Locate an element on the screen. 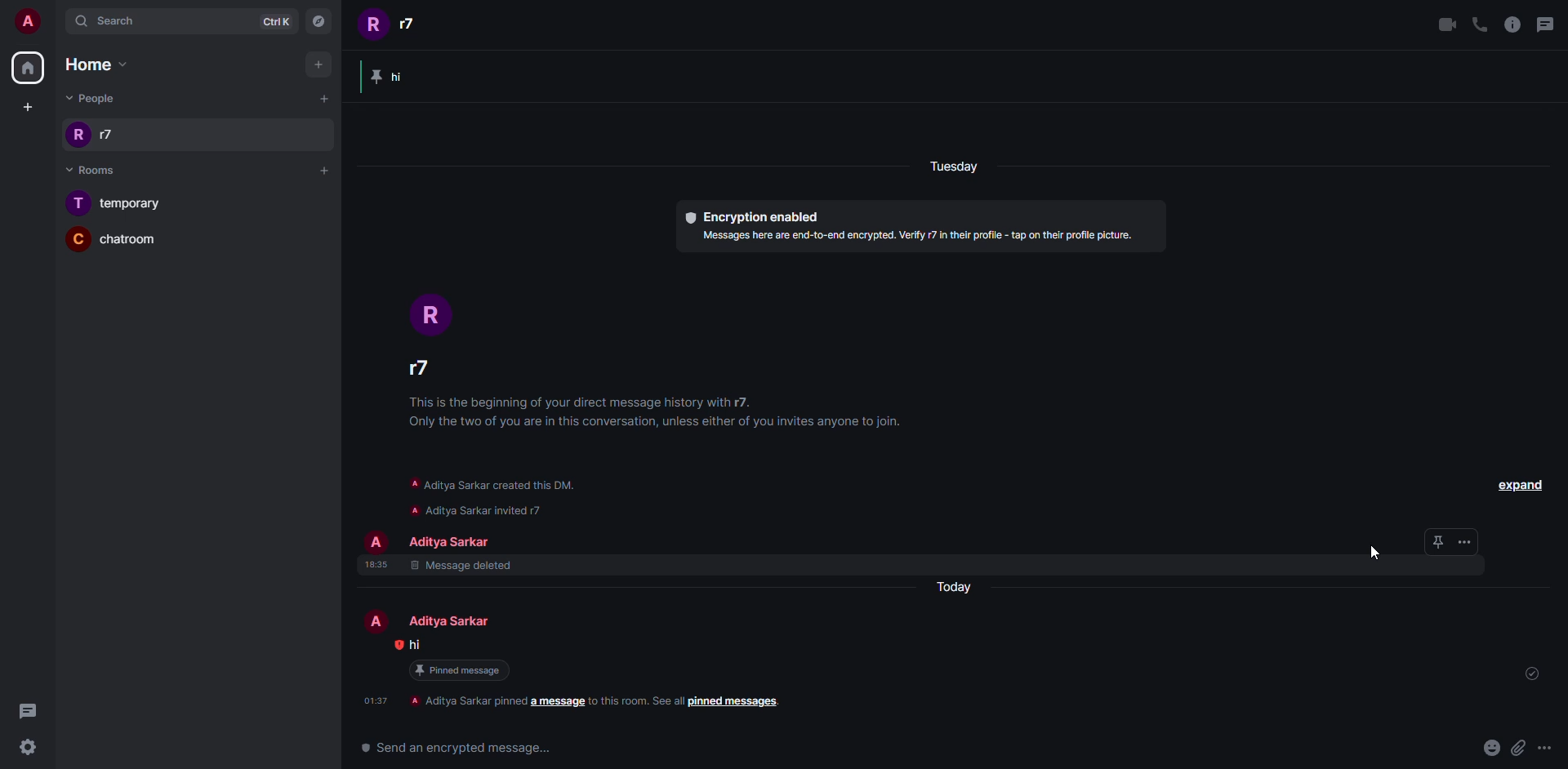 This screenshot has width=1568, height=769. info is located at coordinates (506, 493).